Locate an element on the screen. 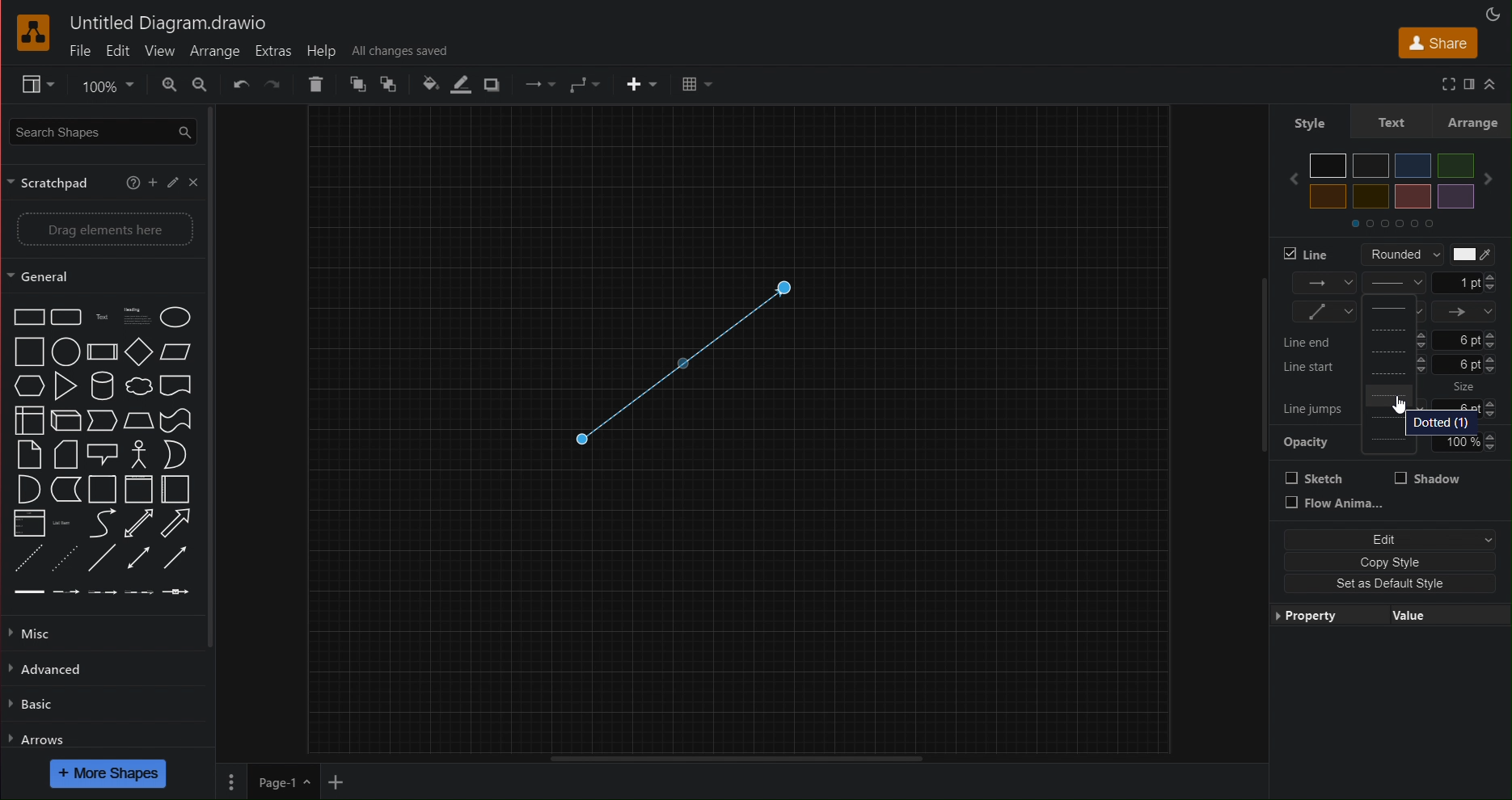  Connectors is located at coordinates (1324, 312).